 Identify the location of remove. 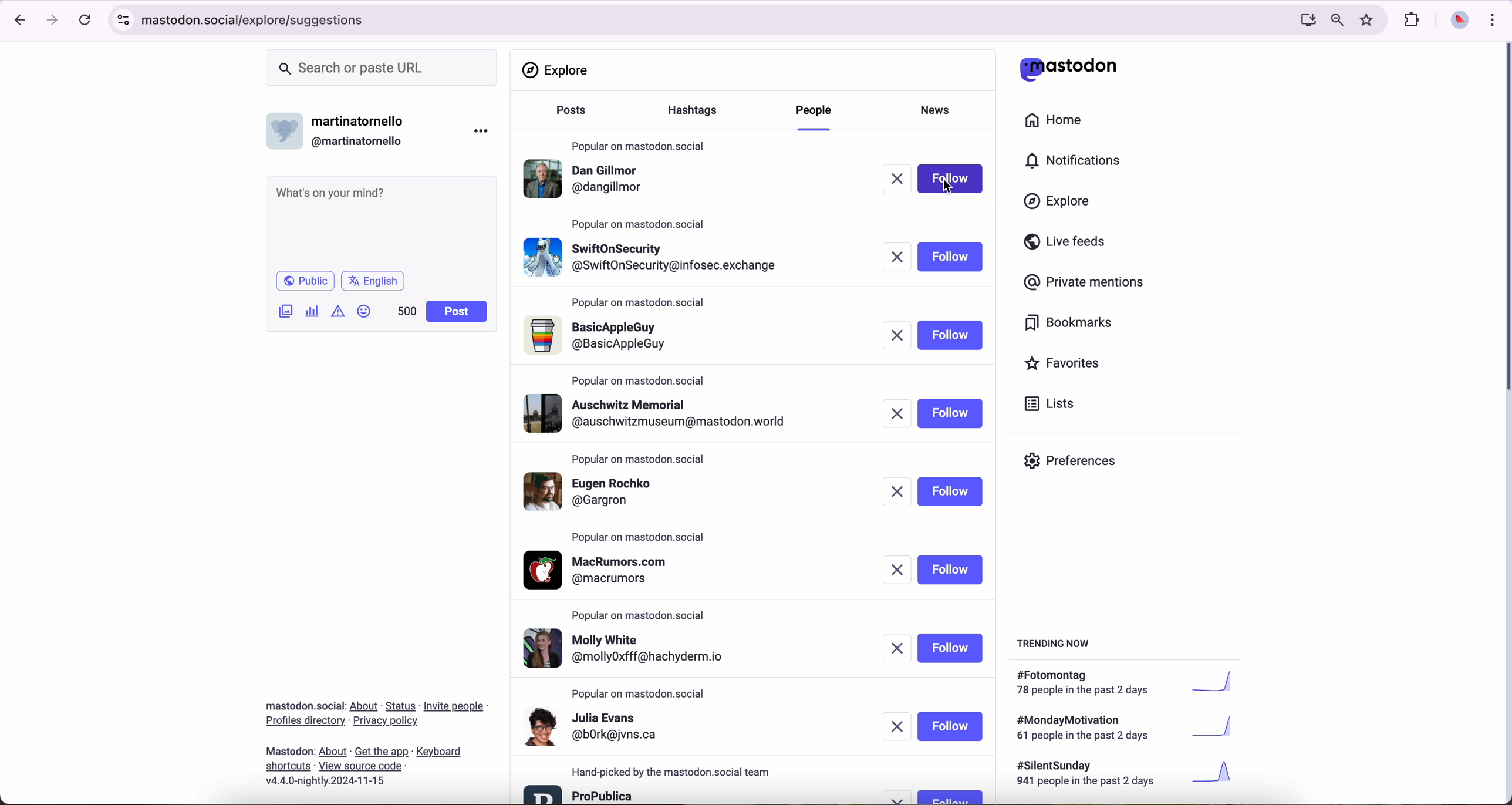
(896, 413).